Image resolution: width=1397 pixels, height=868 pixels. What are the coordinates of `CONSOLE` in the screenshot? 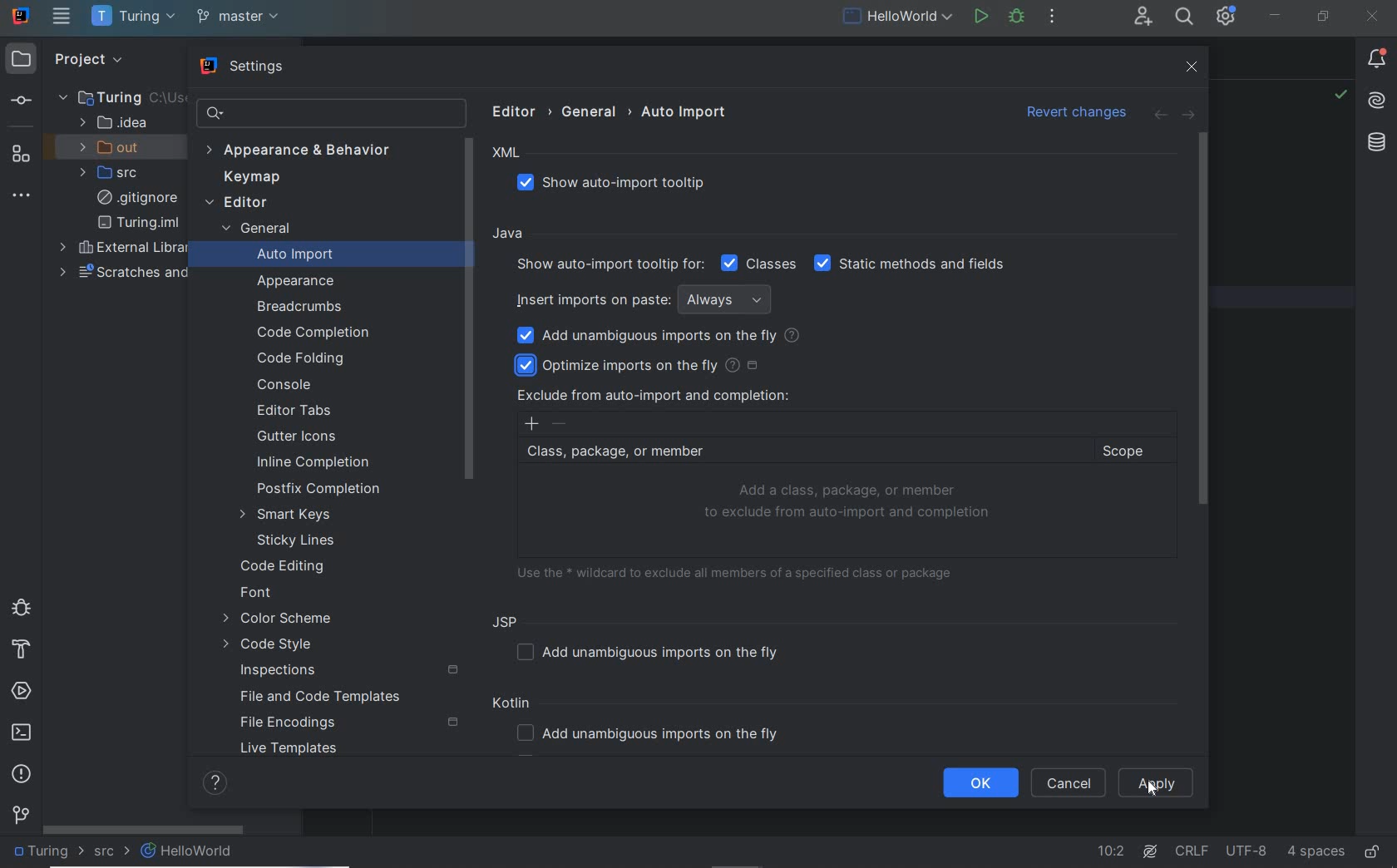 It's located at (284, 384).